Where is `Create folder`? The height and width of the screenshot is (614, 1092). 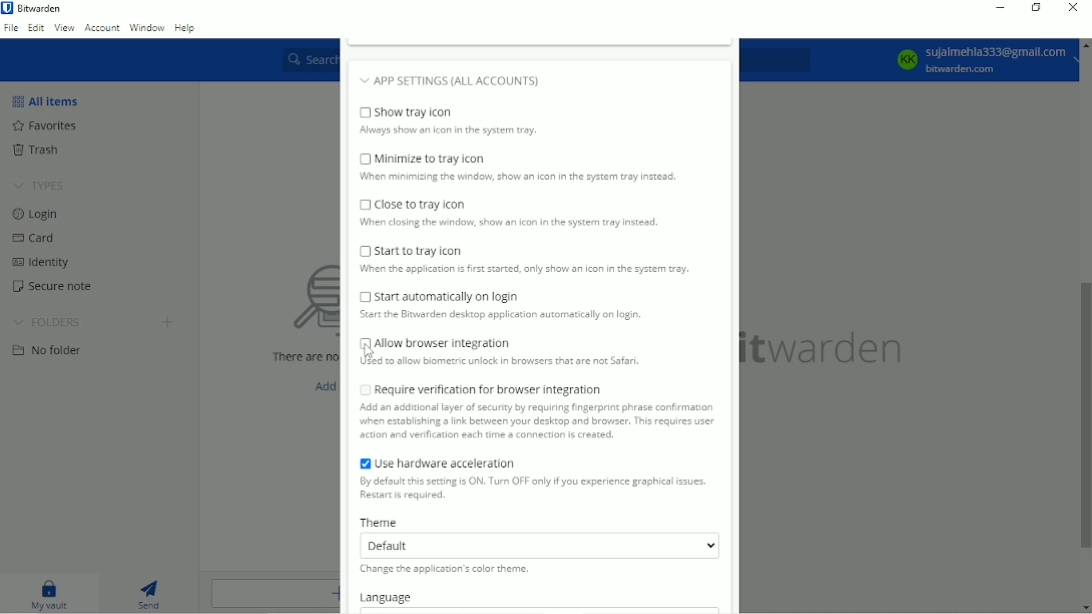
Create folder is located at coordinates (169, 321).